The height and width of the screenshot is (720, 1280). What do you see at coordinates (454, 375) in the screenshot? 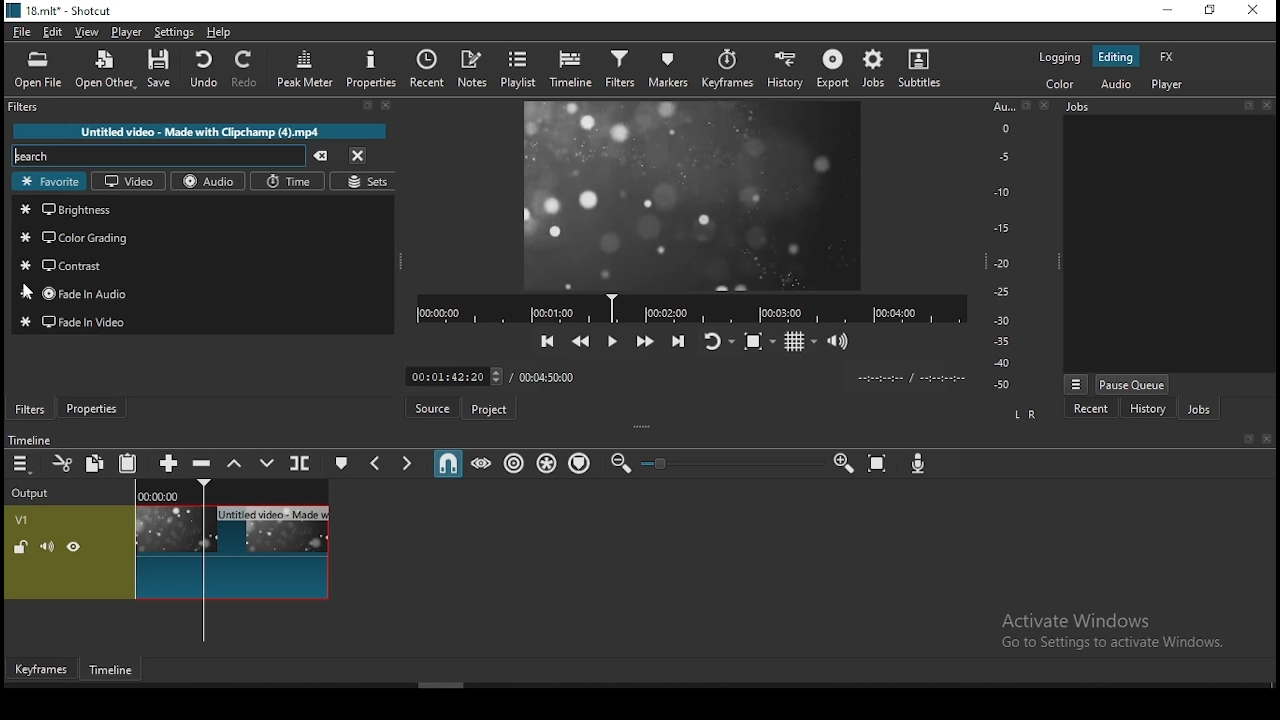
I see `Frame Time` at bounding box center [454, 375].